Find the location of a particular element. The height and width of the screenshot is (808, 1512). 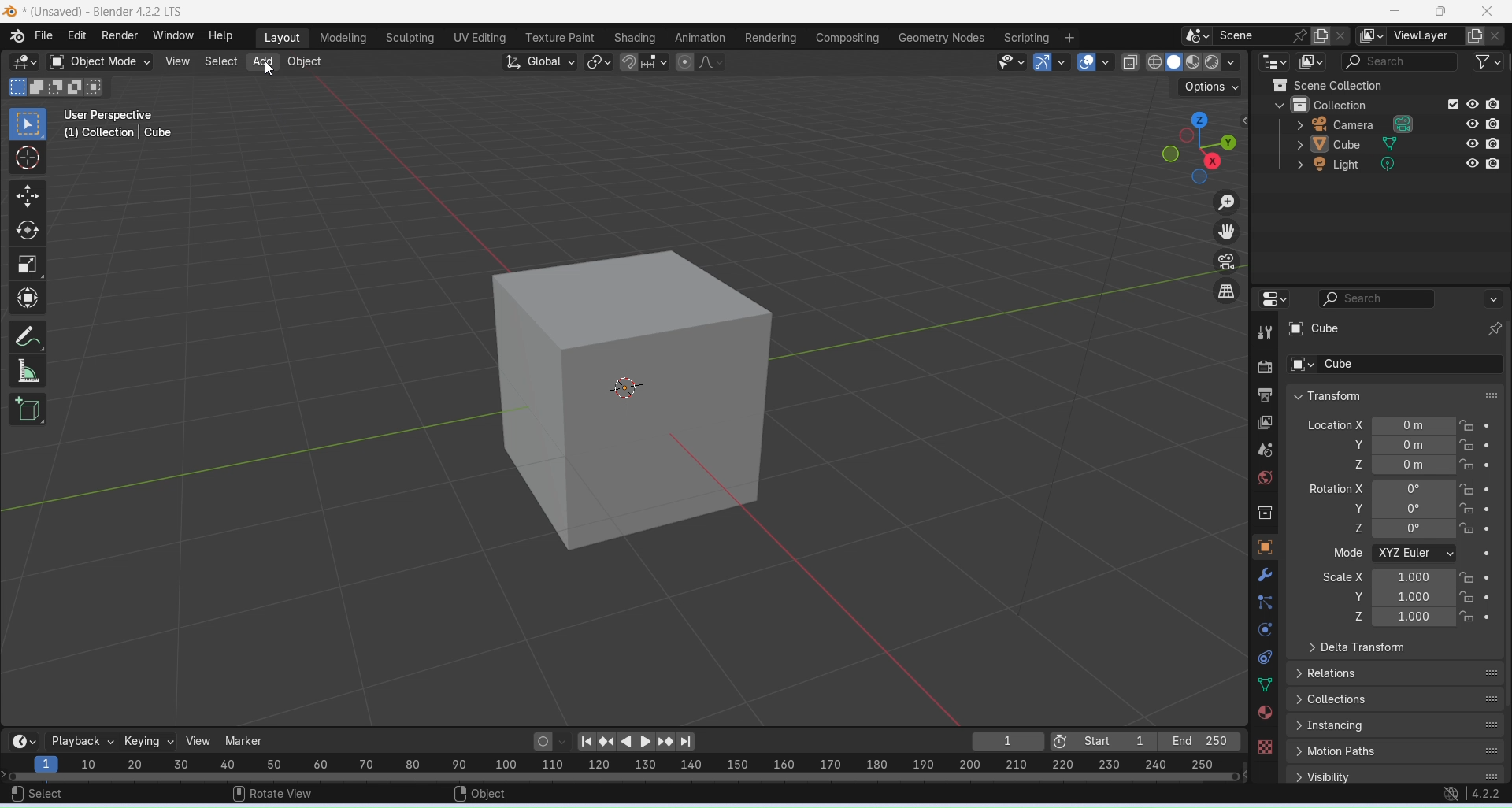

View is located at coordinates (198, 741).